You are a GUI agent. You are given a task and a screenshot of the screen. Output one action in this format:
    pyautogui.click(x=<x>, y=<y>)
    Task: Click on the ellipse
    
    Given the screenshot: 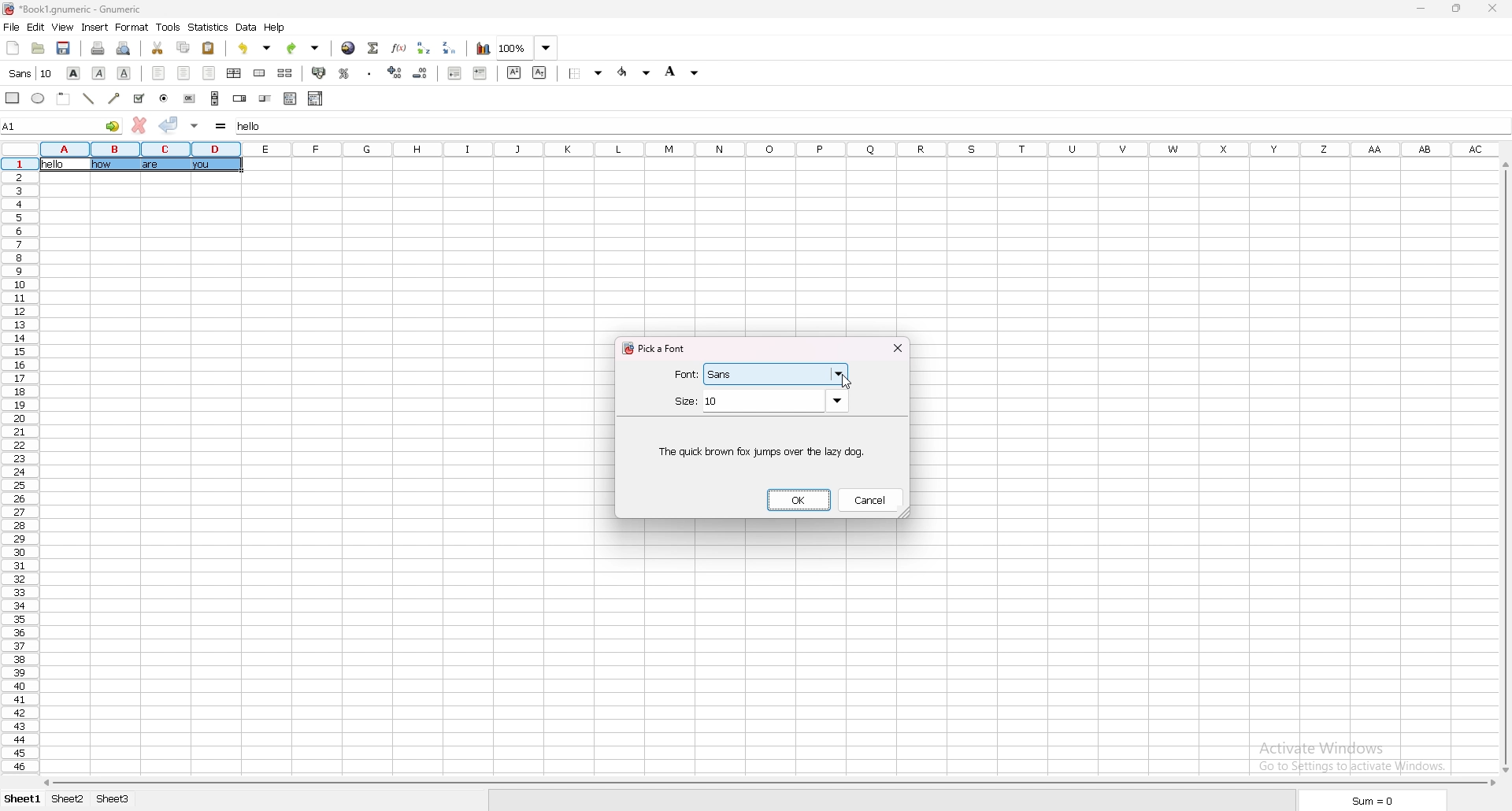 What is the action you would take?
    pyautogui.click(x=37, y=98)
    